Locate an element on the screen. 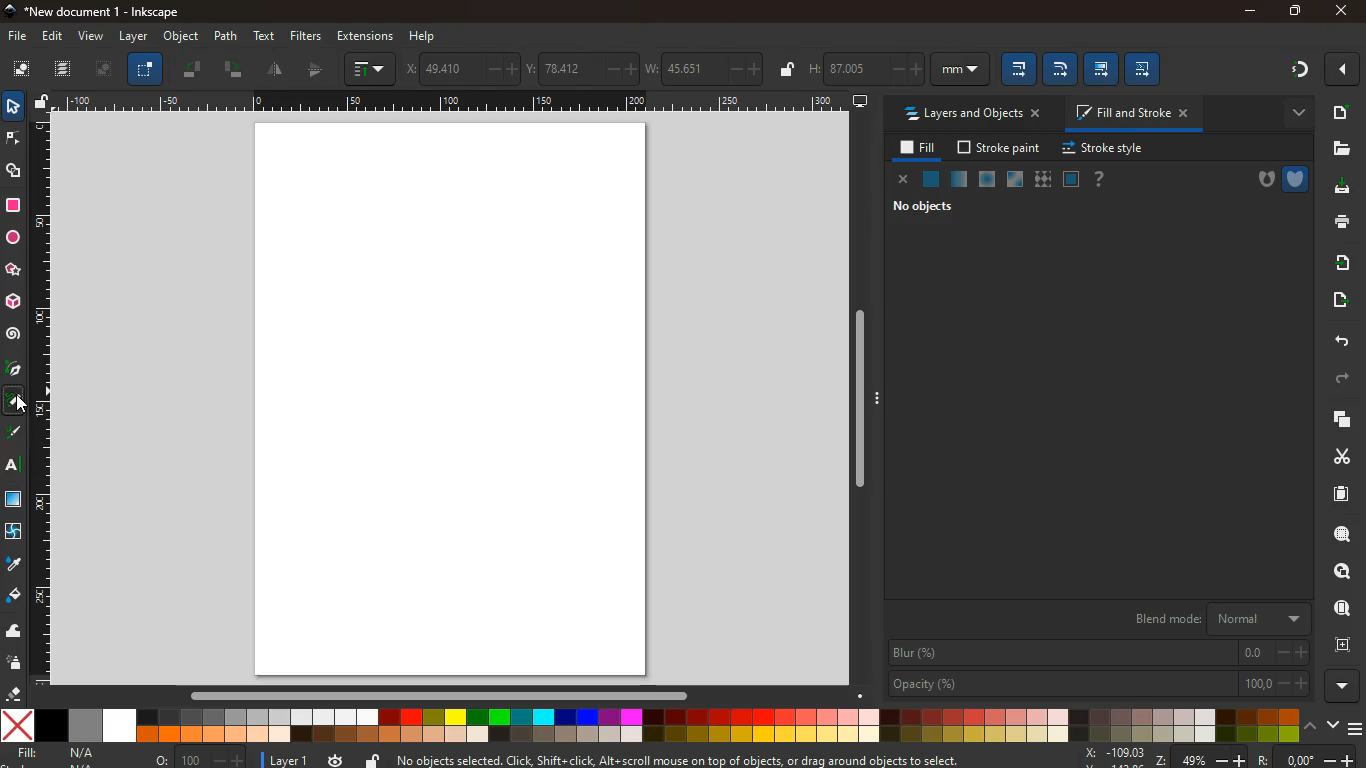 This screenshot has height=768, width=1366. object is located at coordinates (183, 36).